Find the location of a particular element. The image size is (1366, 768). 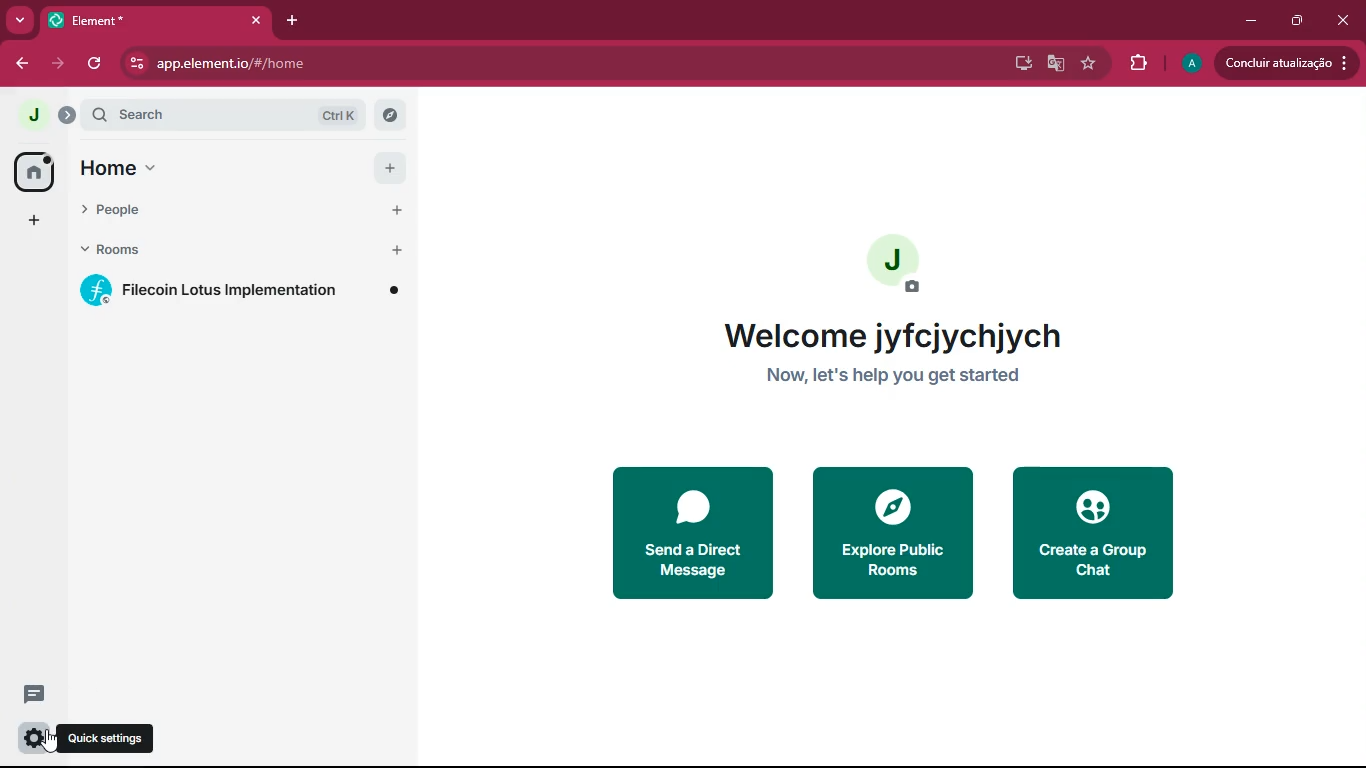

favourite is located at coordinates (1088, 63).